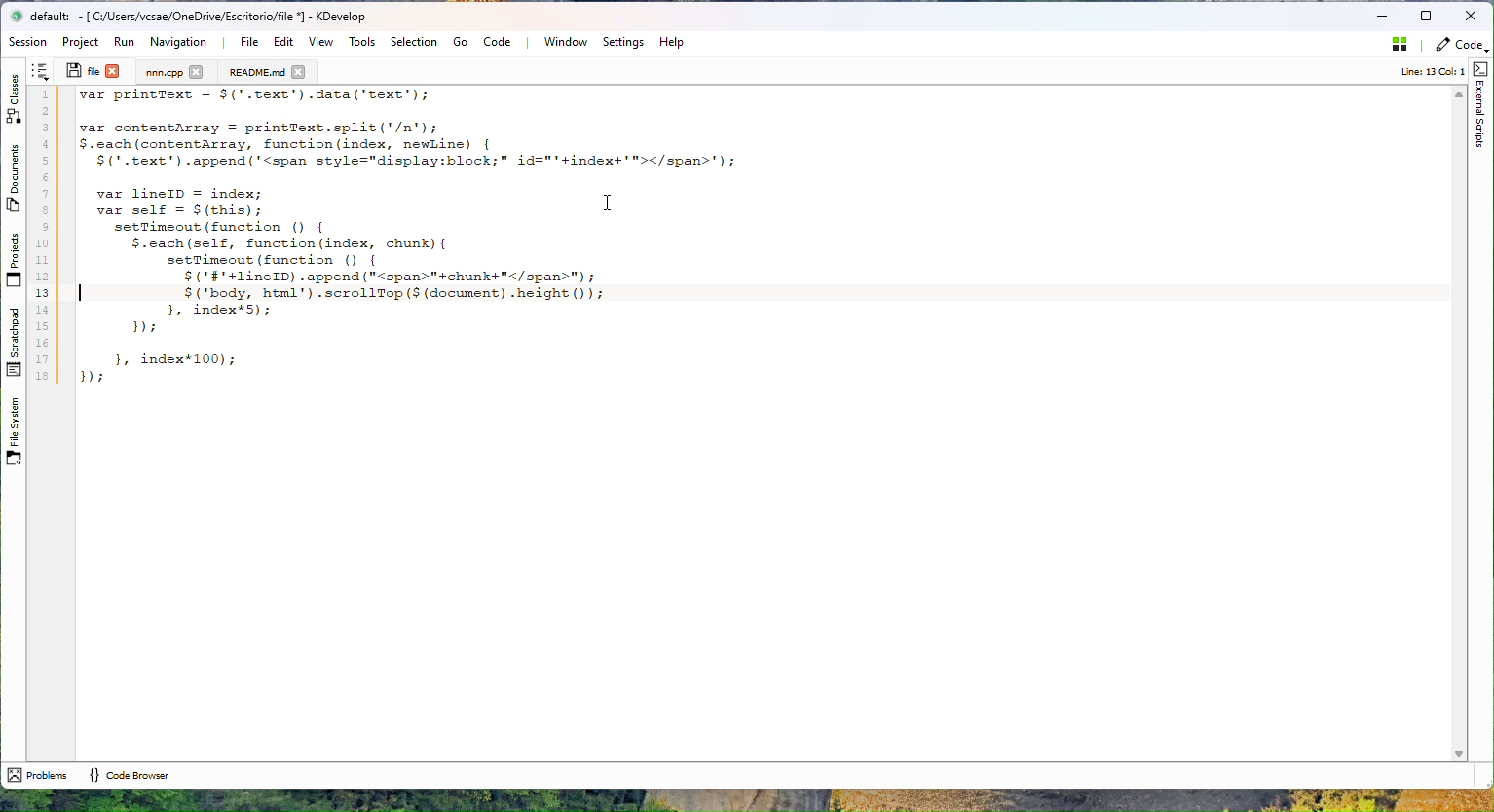 This screenshot has height=812, width=1494. Describe the element at coordinates (196, 71) in the screenshot. I see `close` at that location.